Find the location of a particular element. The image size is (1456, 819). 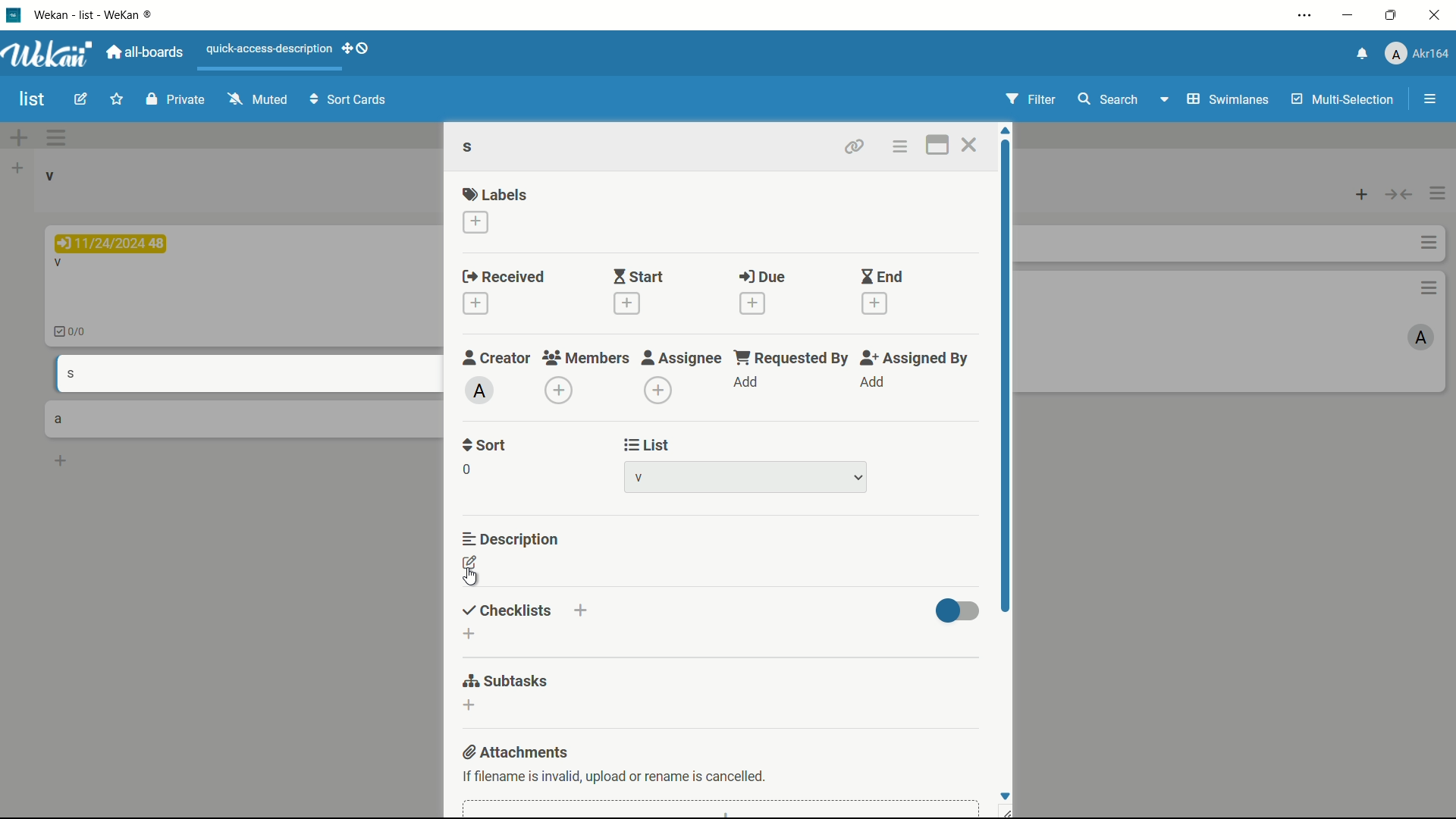

cursor is located at coordinates (471, 577).